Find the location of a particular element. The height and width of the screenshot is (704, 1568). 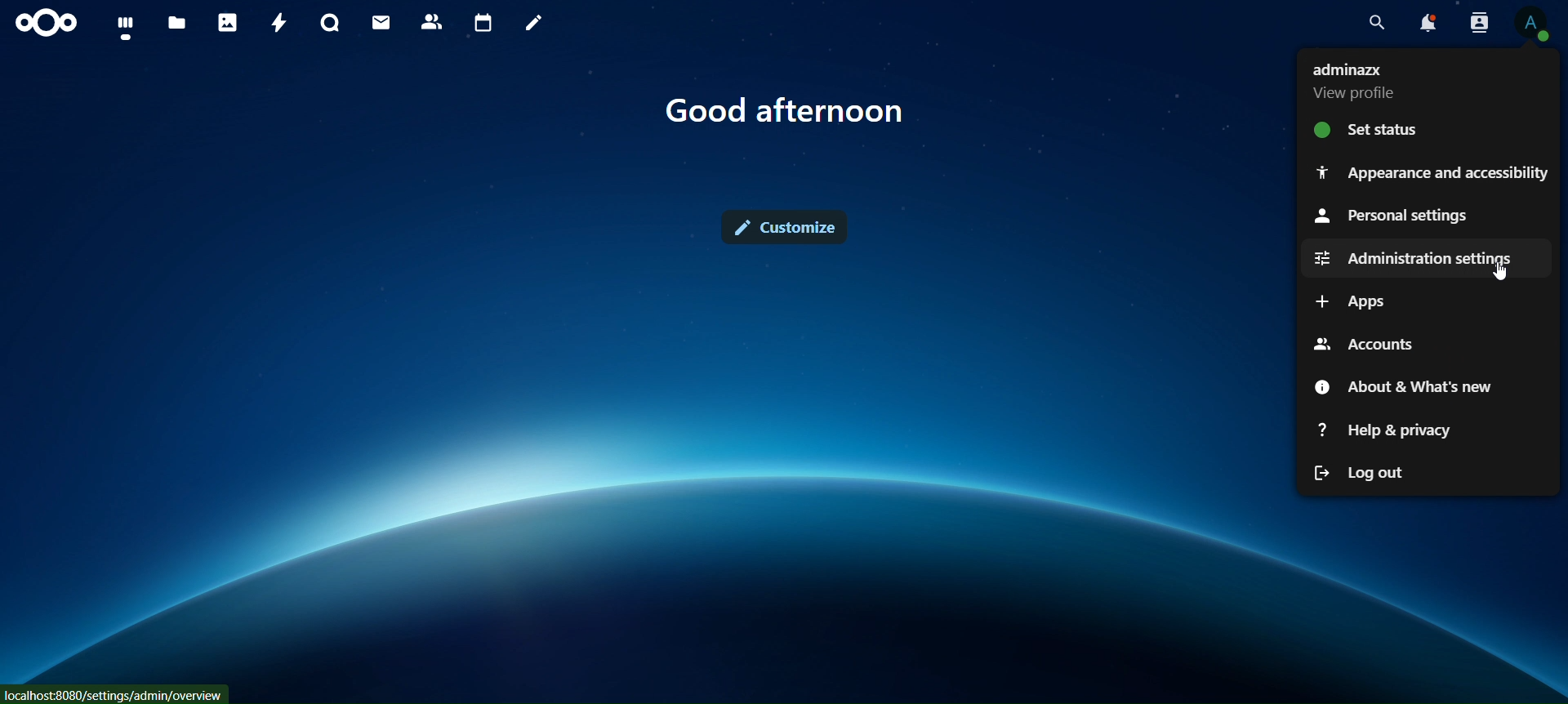

localhost:8080/settinas/admin/overview is located at coordinates (114, 696).